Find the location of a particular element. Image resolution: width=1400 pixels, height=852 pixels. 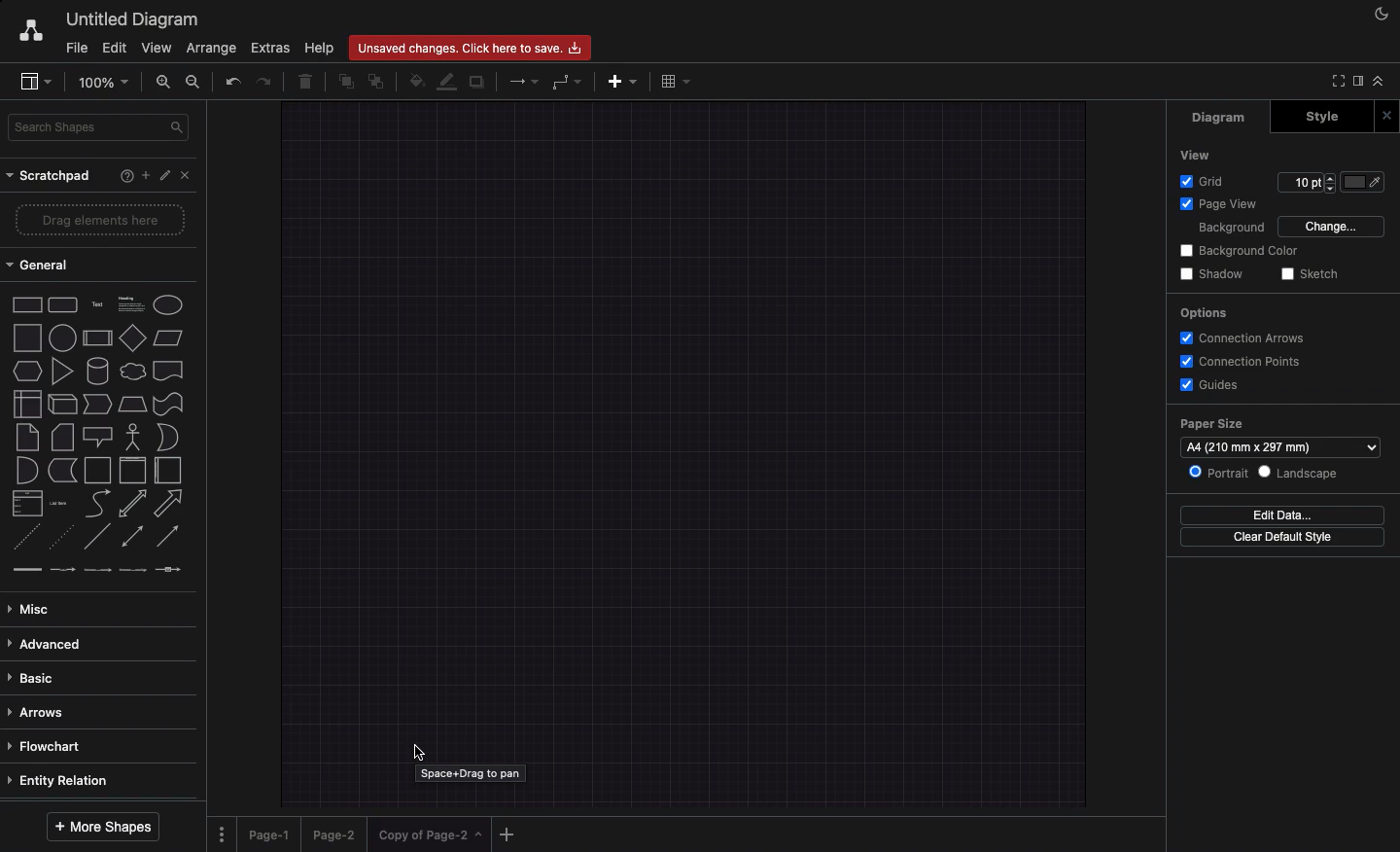

Entity relation is located at coordinates (60, 783).